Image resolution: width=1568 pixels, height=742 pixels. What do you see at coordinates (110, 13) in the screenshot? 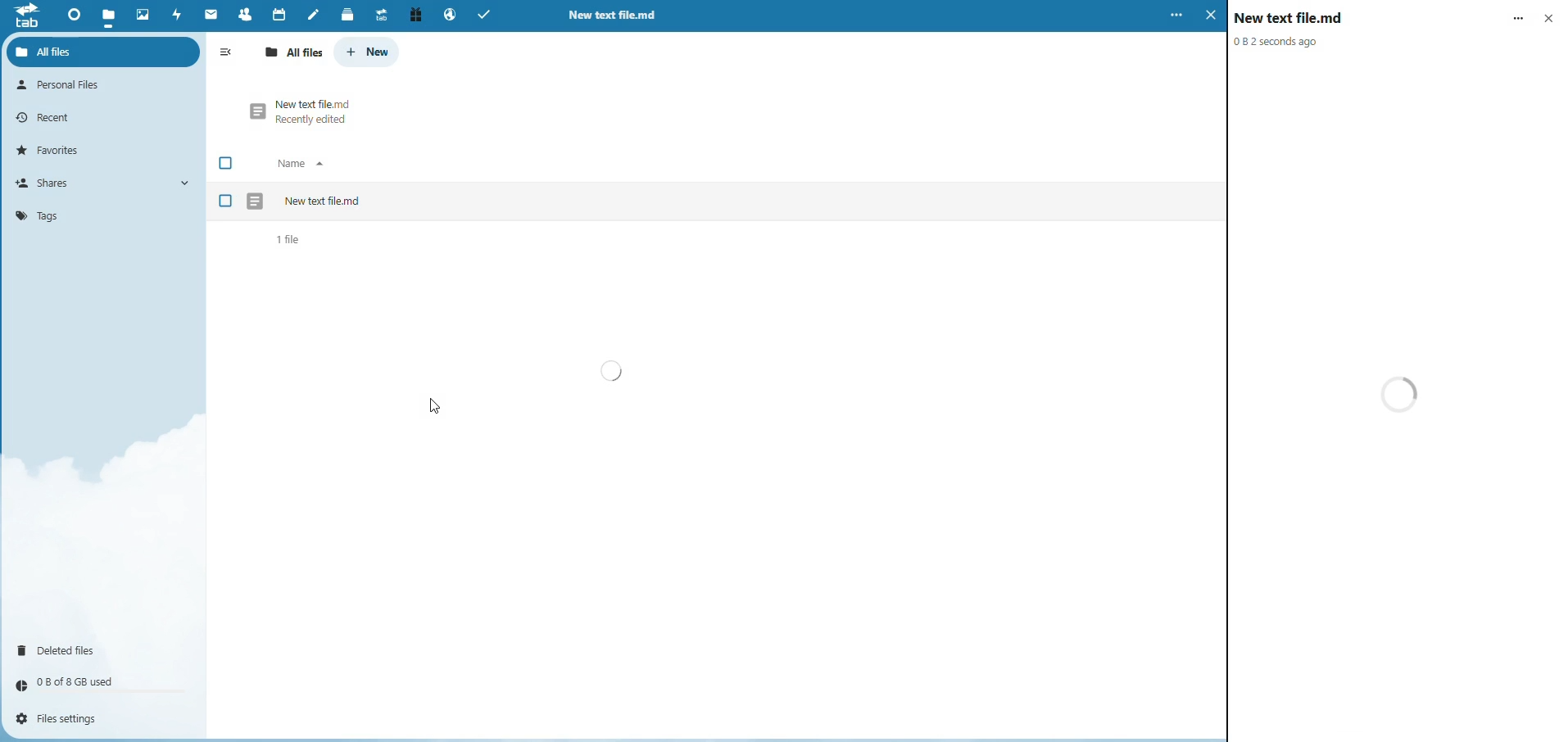
I see `file` at bounding box center [110, 13].